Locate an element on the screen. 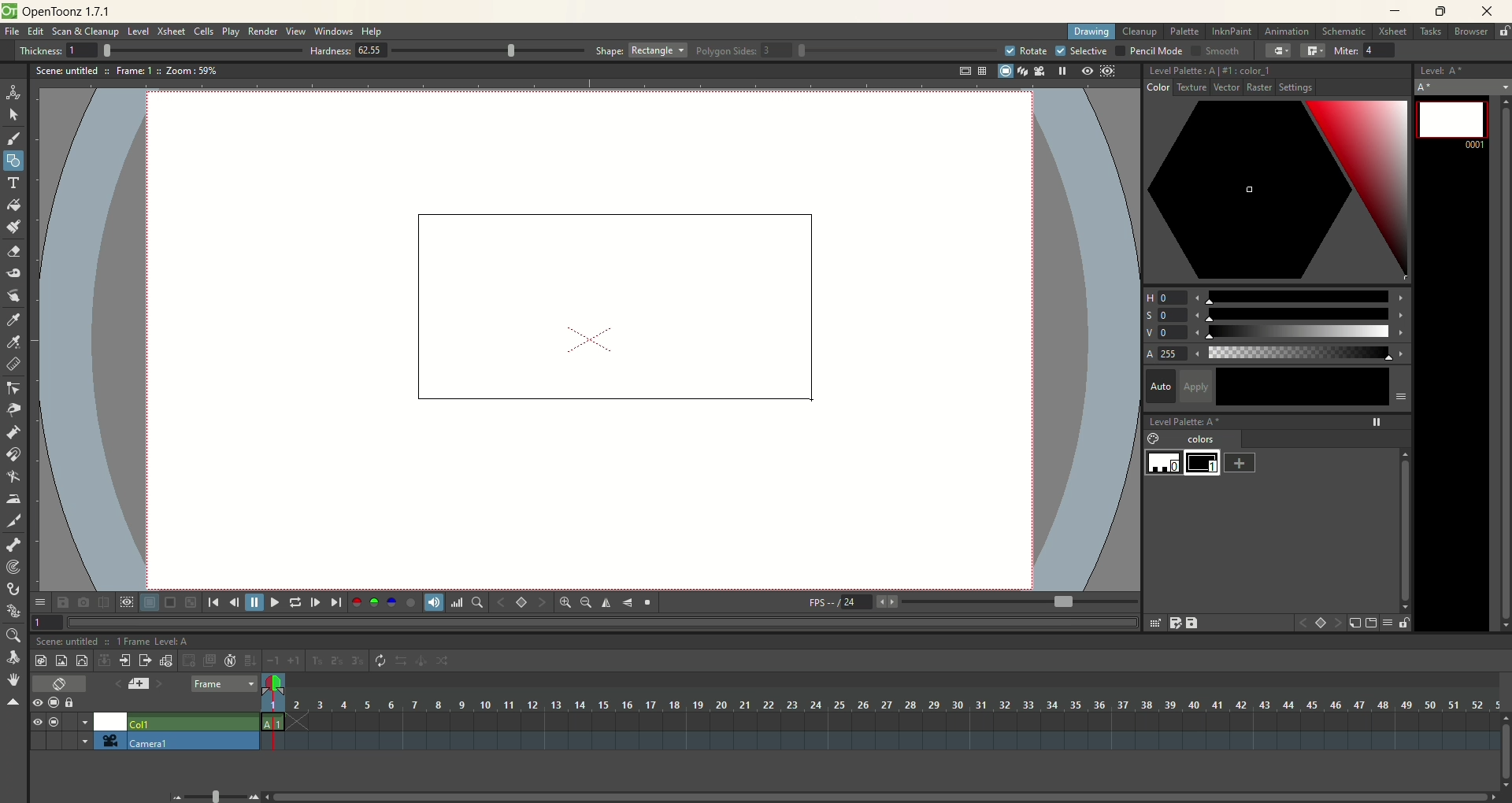 The image size is (1512, 803). increase steo is located at coordinates (296, 661).